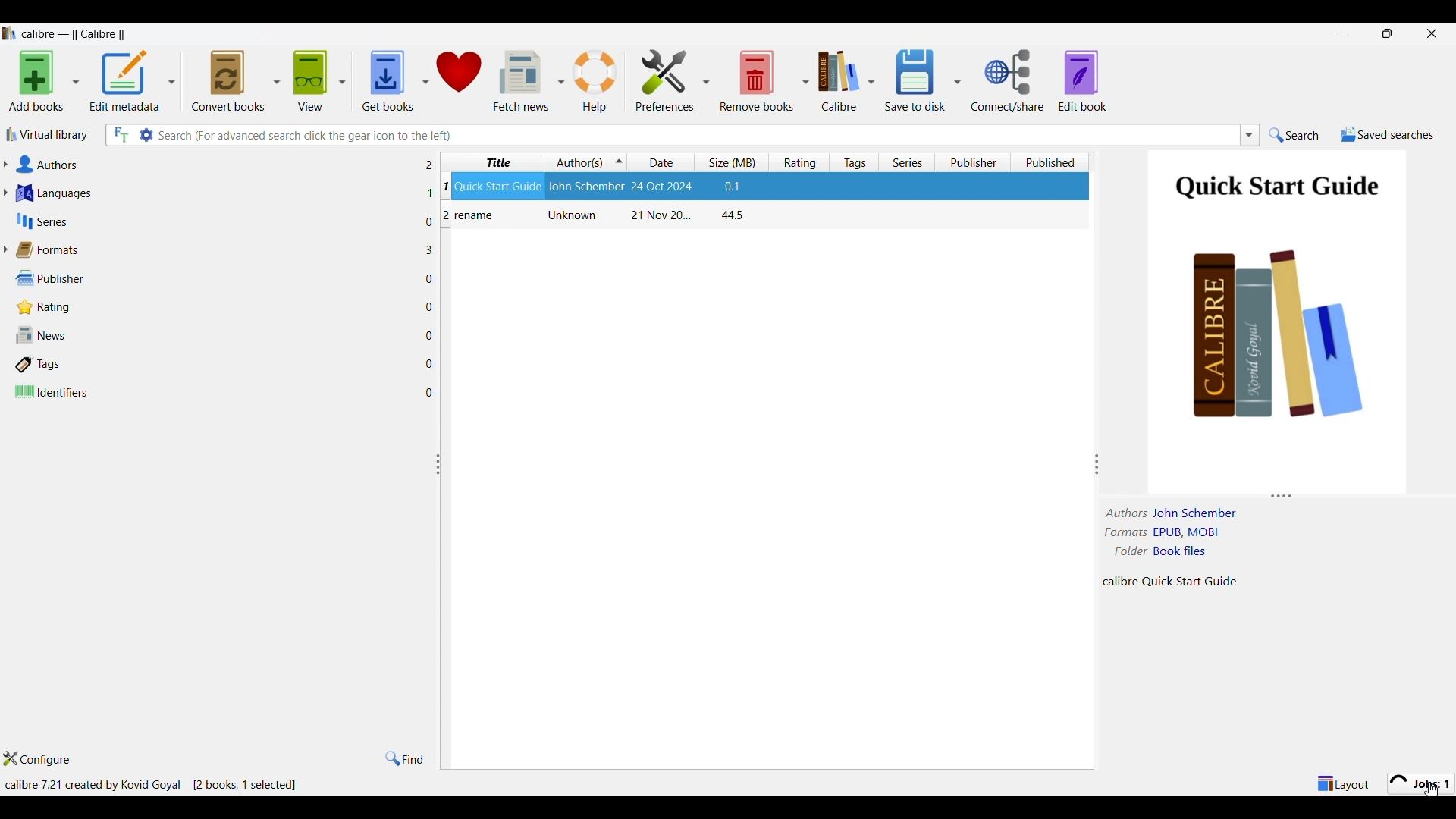 This screenshot has width=1456, height=819. What do you see at coordinates (596, 82) in the screenshot?
I see `Help` at bounding box center [596, 82].